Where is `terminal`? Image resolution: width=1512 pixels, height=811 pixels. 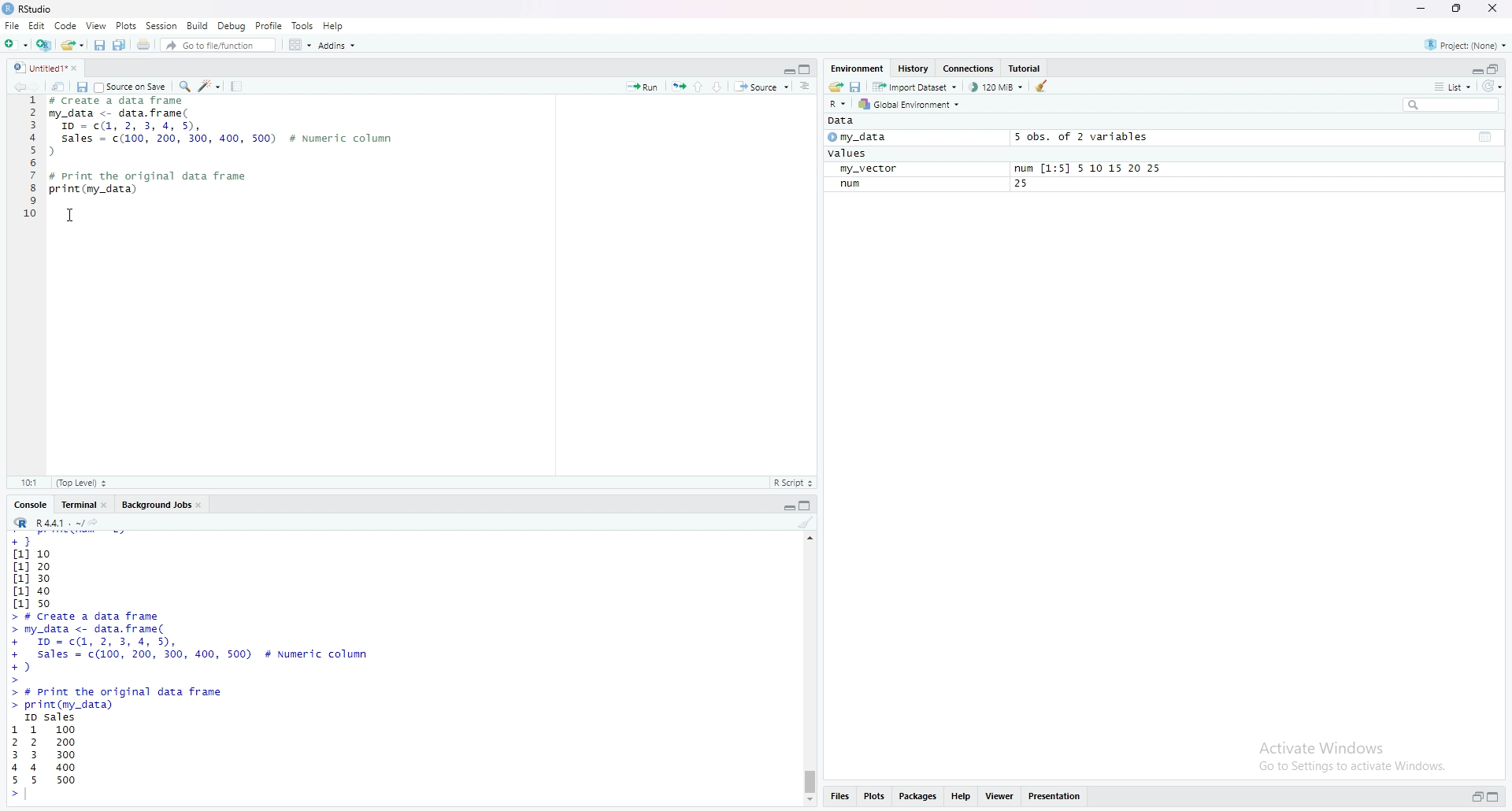 terminal is located at coordinates (76, 505).